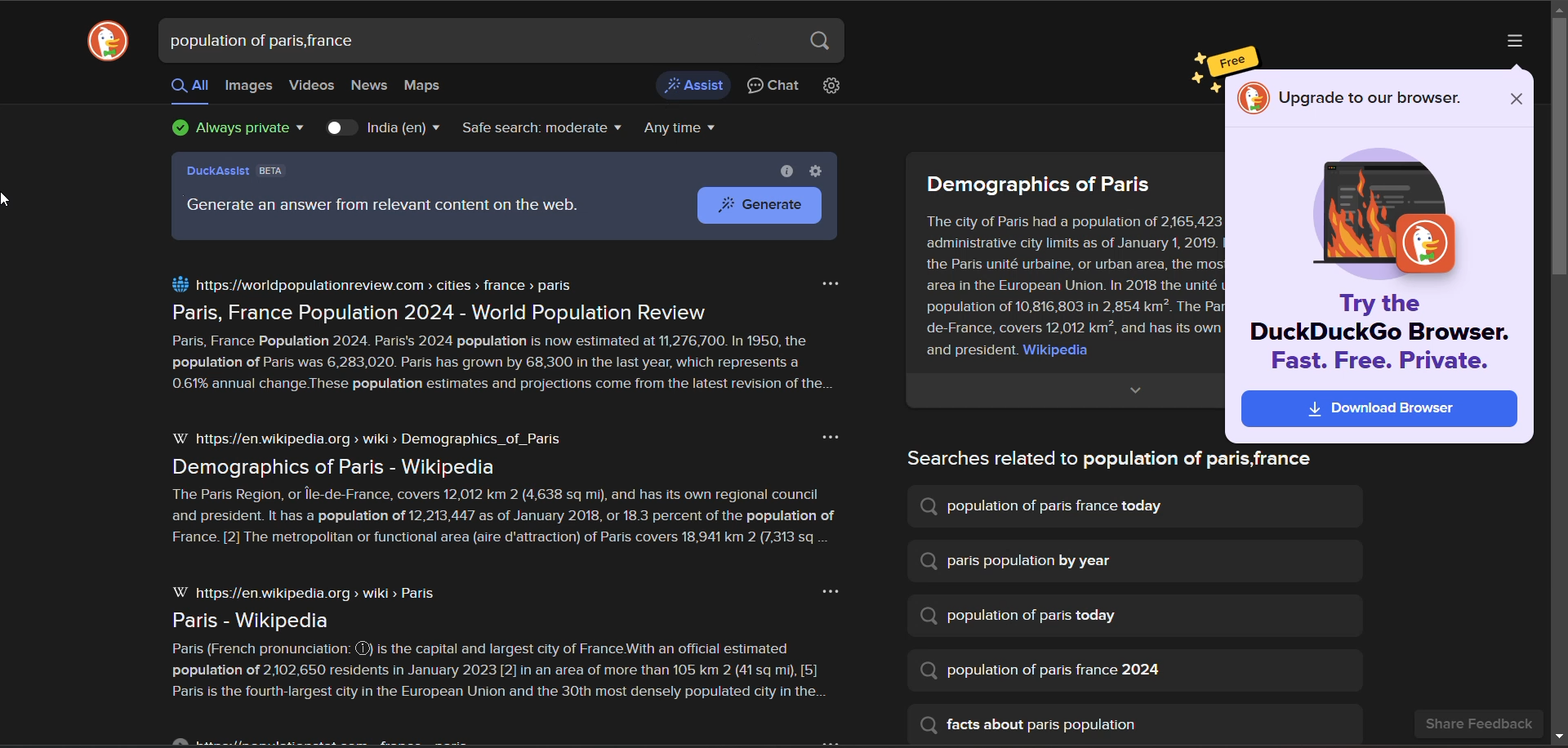  Describe the element at coordinates (1511, 96) in the screenshot. I see `close` at that location.